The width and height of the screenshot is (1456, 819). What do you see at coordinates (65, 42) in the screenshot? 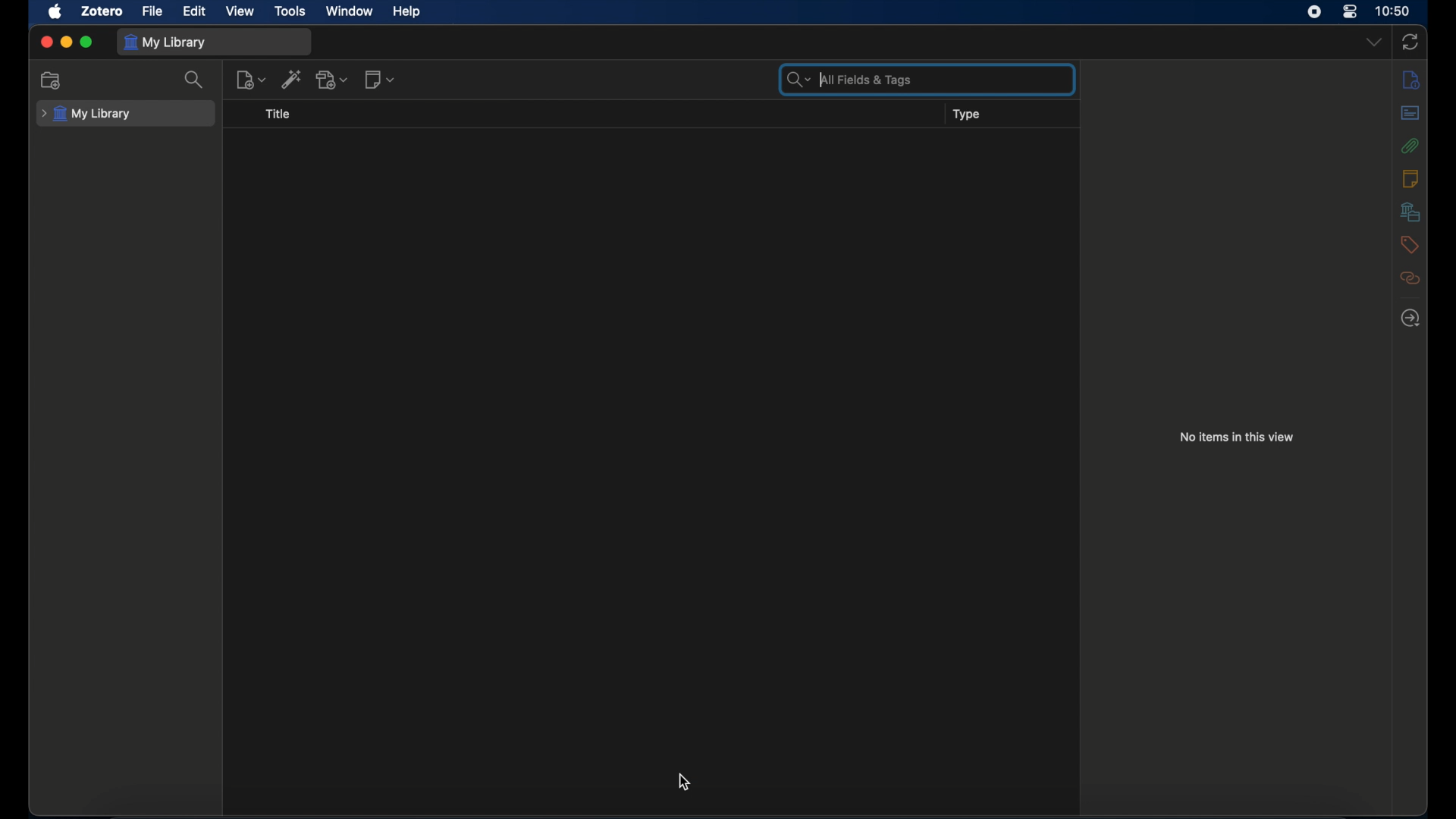
I see `minimize` at bounding box center [65, 42].